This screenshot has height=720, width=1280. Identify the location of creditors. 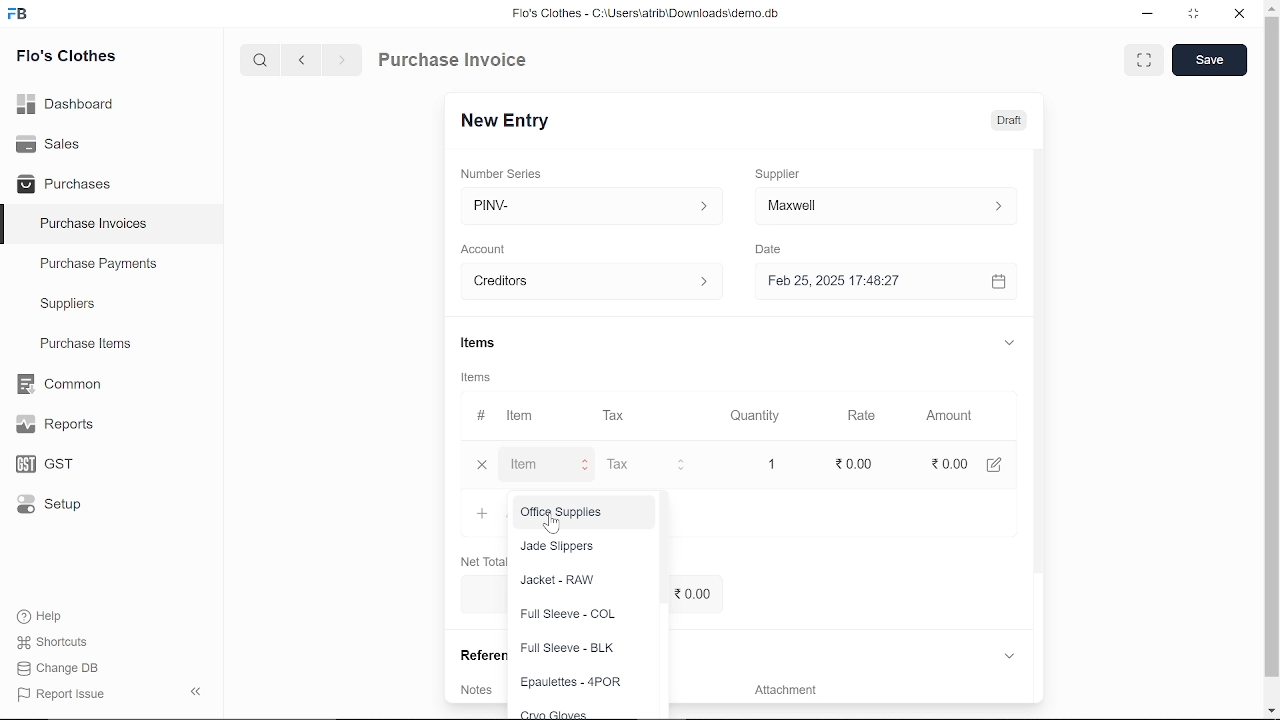
(596, 280).